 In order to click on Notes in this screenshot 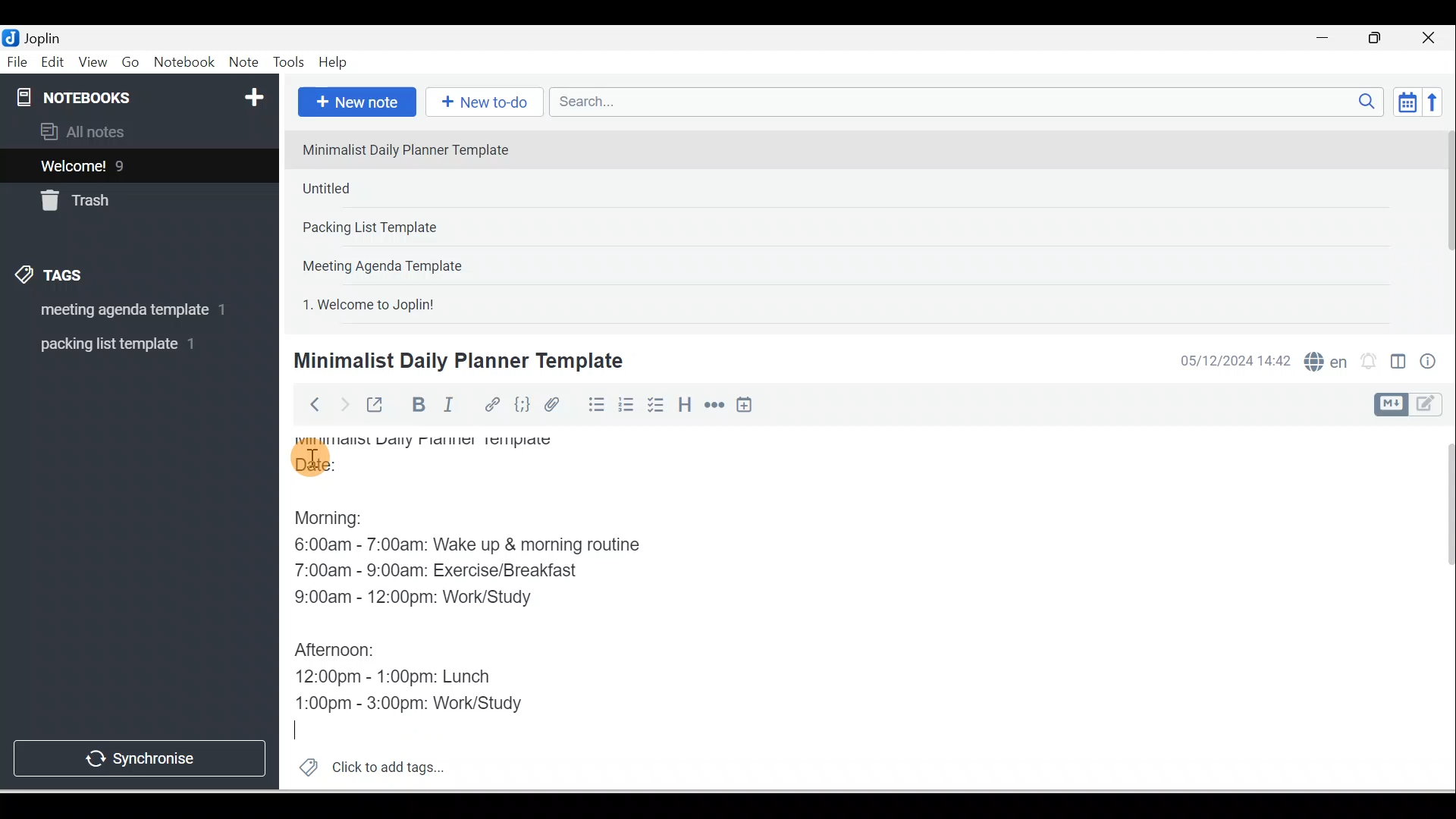, I will do `click(128, 162)`.